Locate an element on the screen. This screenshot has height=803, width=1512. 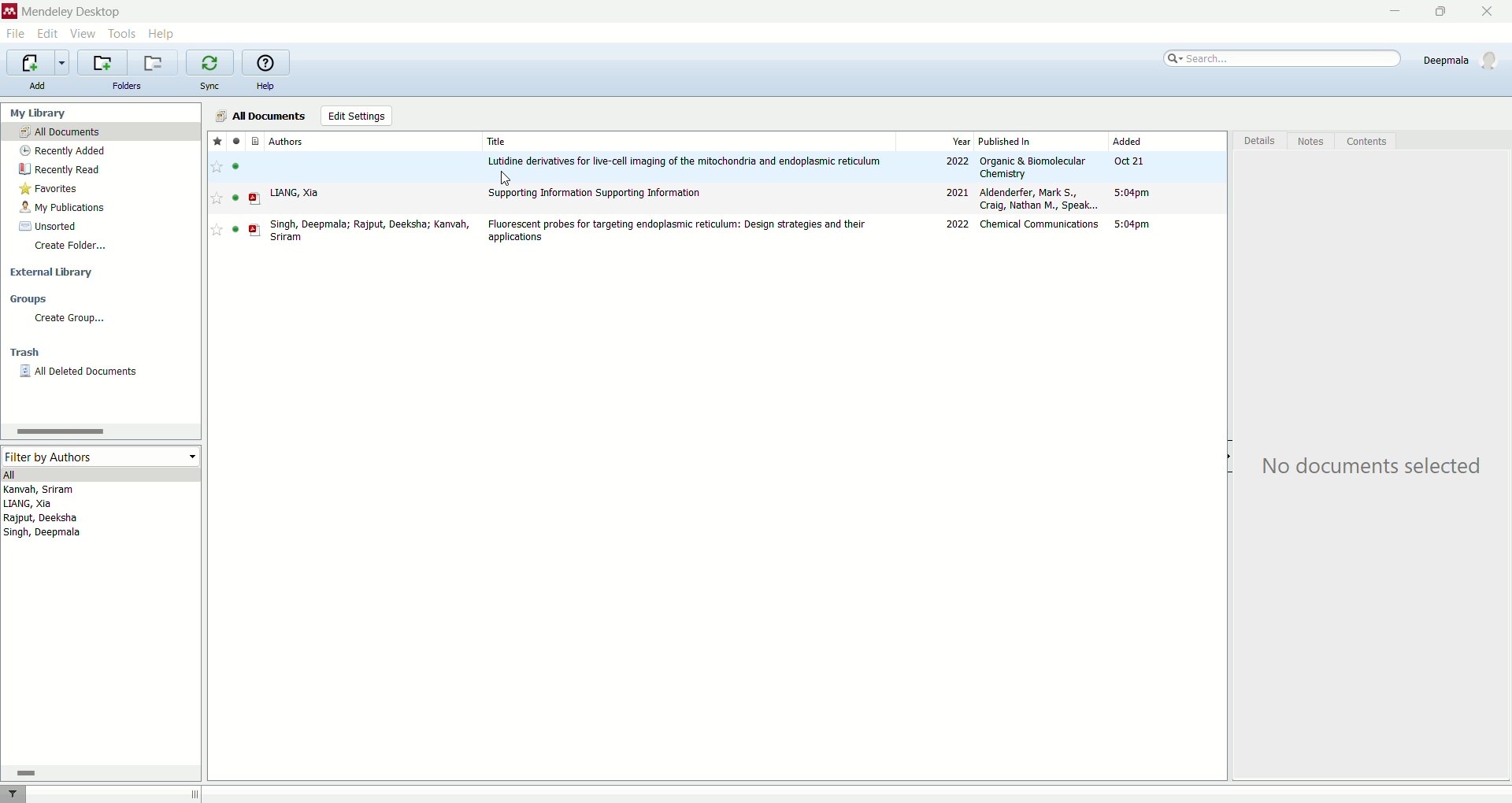
Aldenderfer, Mark S., Craig, Nathan M., Speak... is located at coordinates (1040, 200).